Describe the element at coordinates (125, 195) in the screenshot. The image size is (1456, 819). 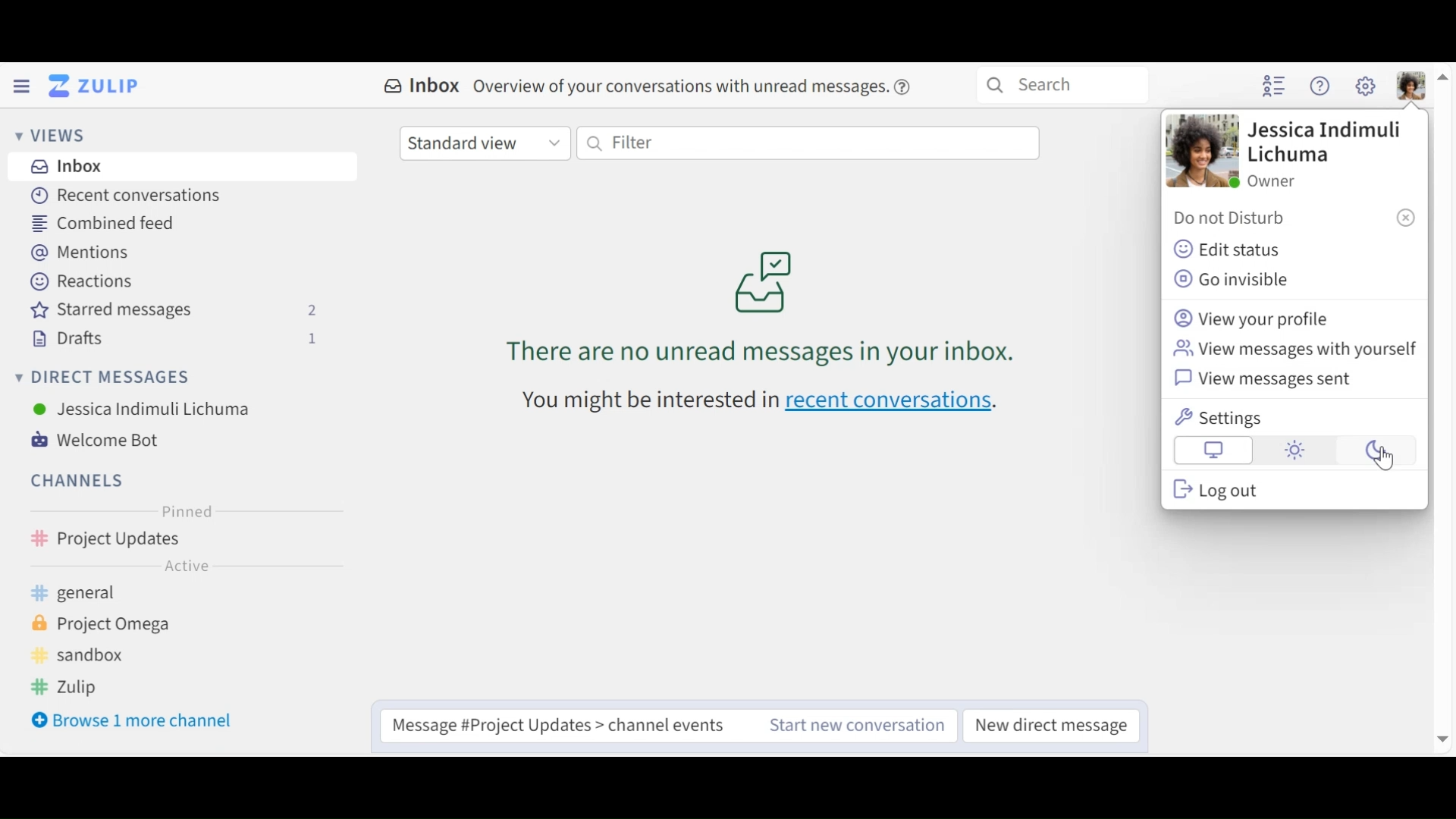
I see `Recent Conversations` at that location.